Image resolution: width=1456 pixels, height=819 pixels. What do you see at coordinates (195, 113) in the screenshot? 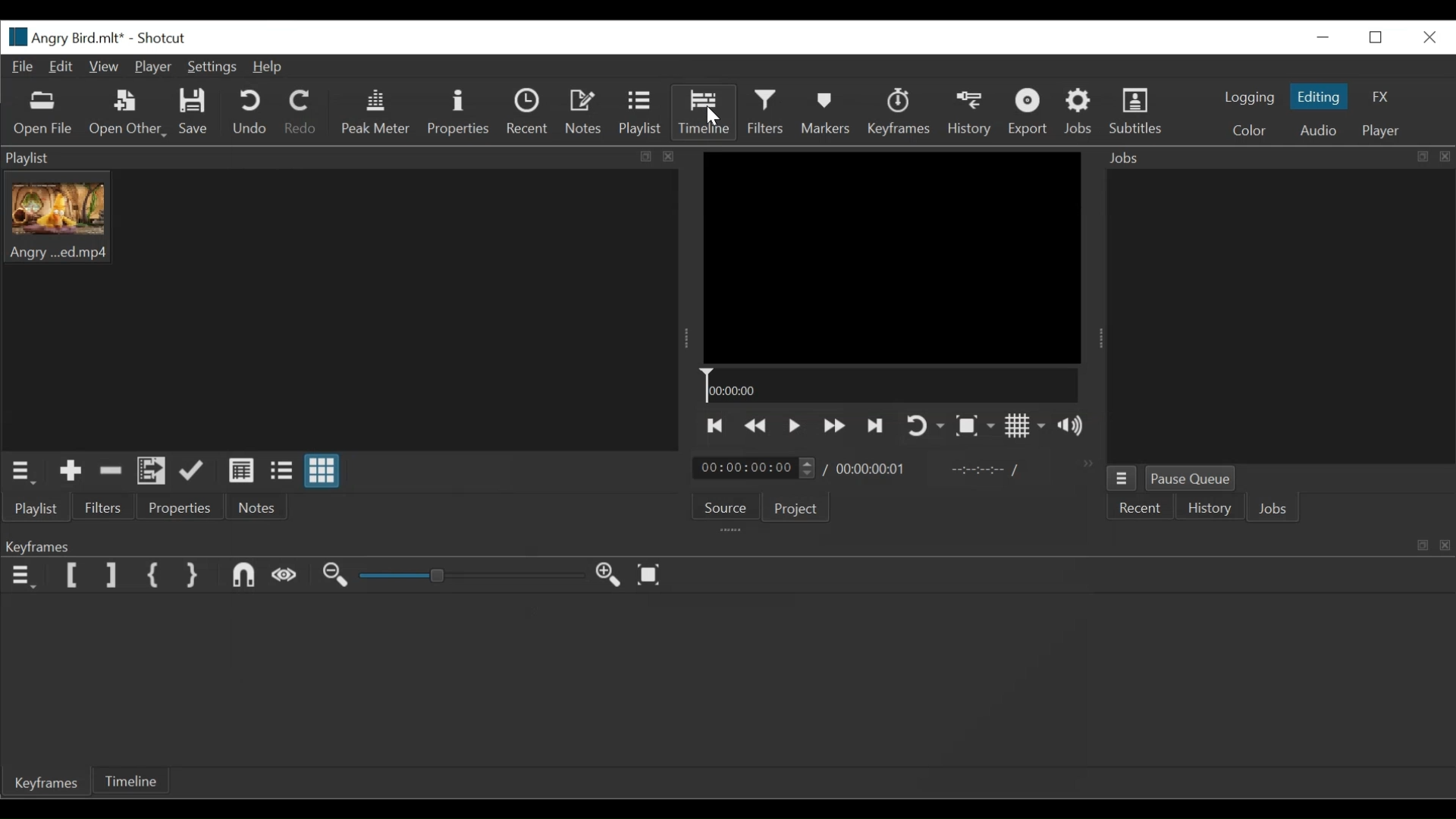
I see `Save` at bounding box center [195, 113].